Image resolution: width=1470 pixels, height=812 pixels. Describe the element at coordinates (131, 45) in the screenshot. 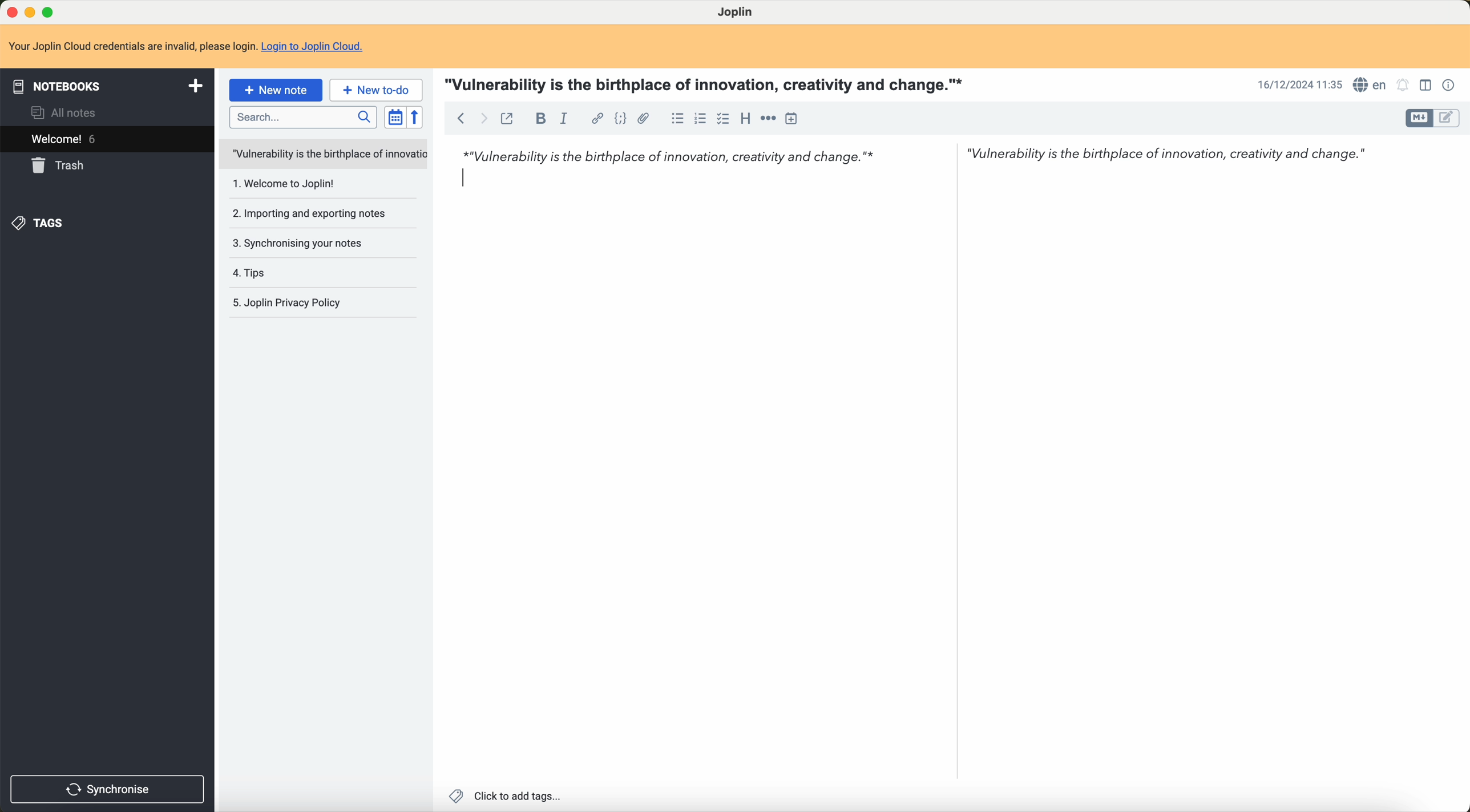

I see `Your Joplin Cloud credentials are invalid, please login.` at that location.